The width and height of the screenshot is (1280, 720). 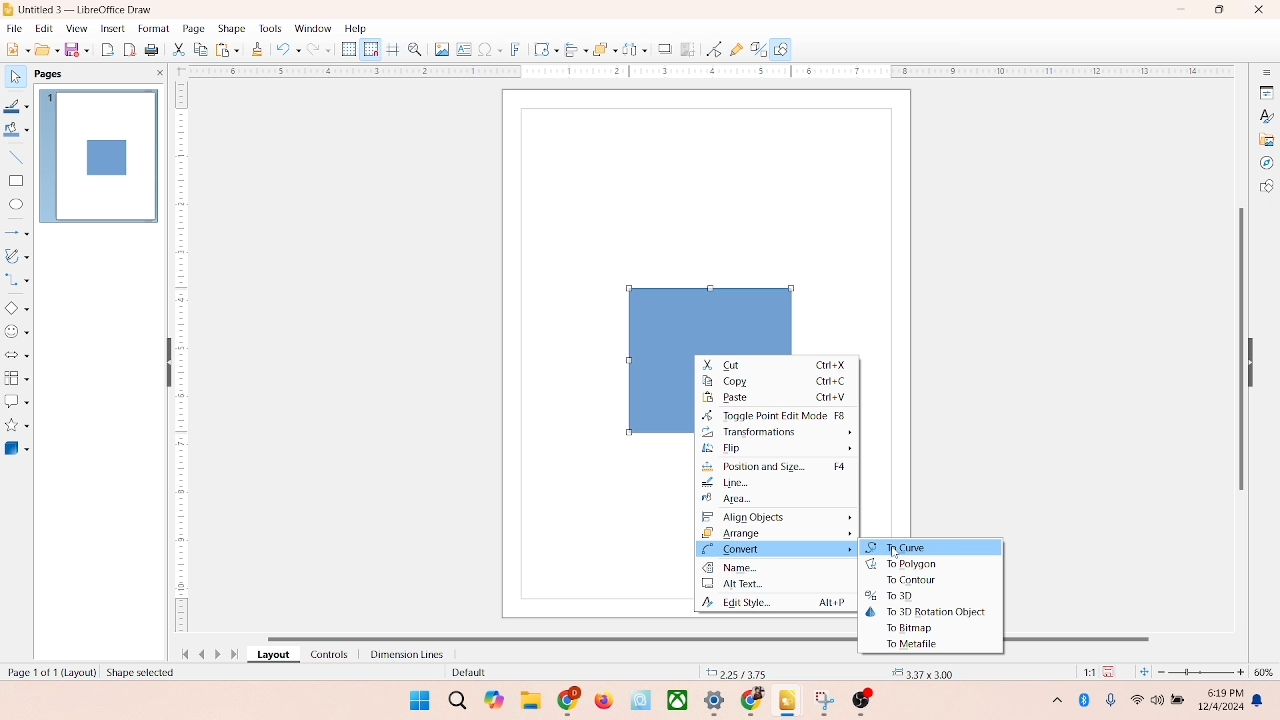 I want to click on 3D shape, so click(x=17, y=448).